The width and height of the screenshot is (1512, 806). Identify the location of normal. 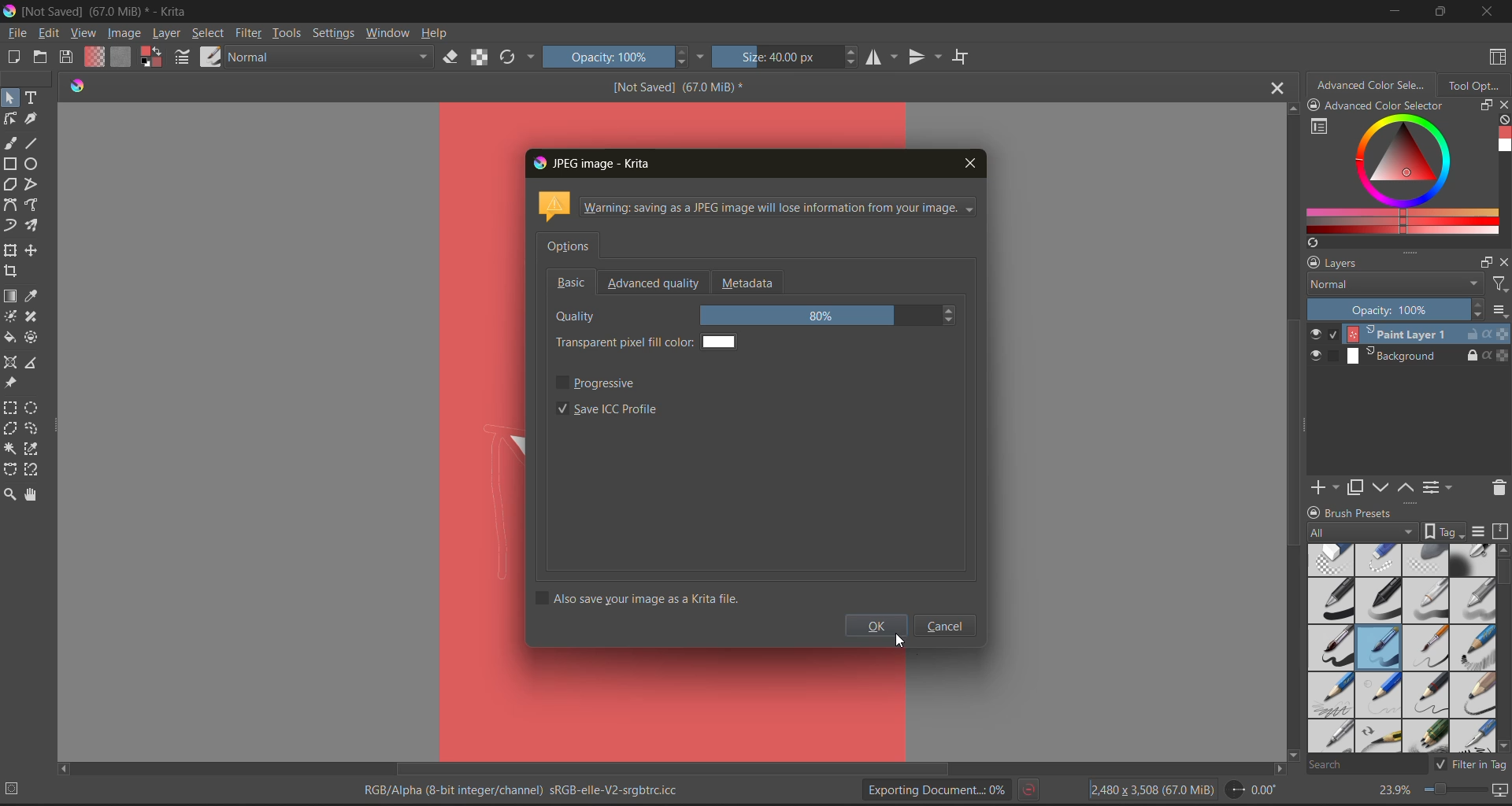
(330, 56).